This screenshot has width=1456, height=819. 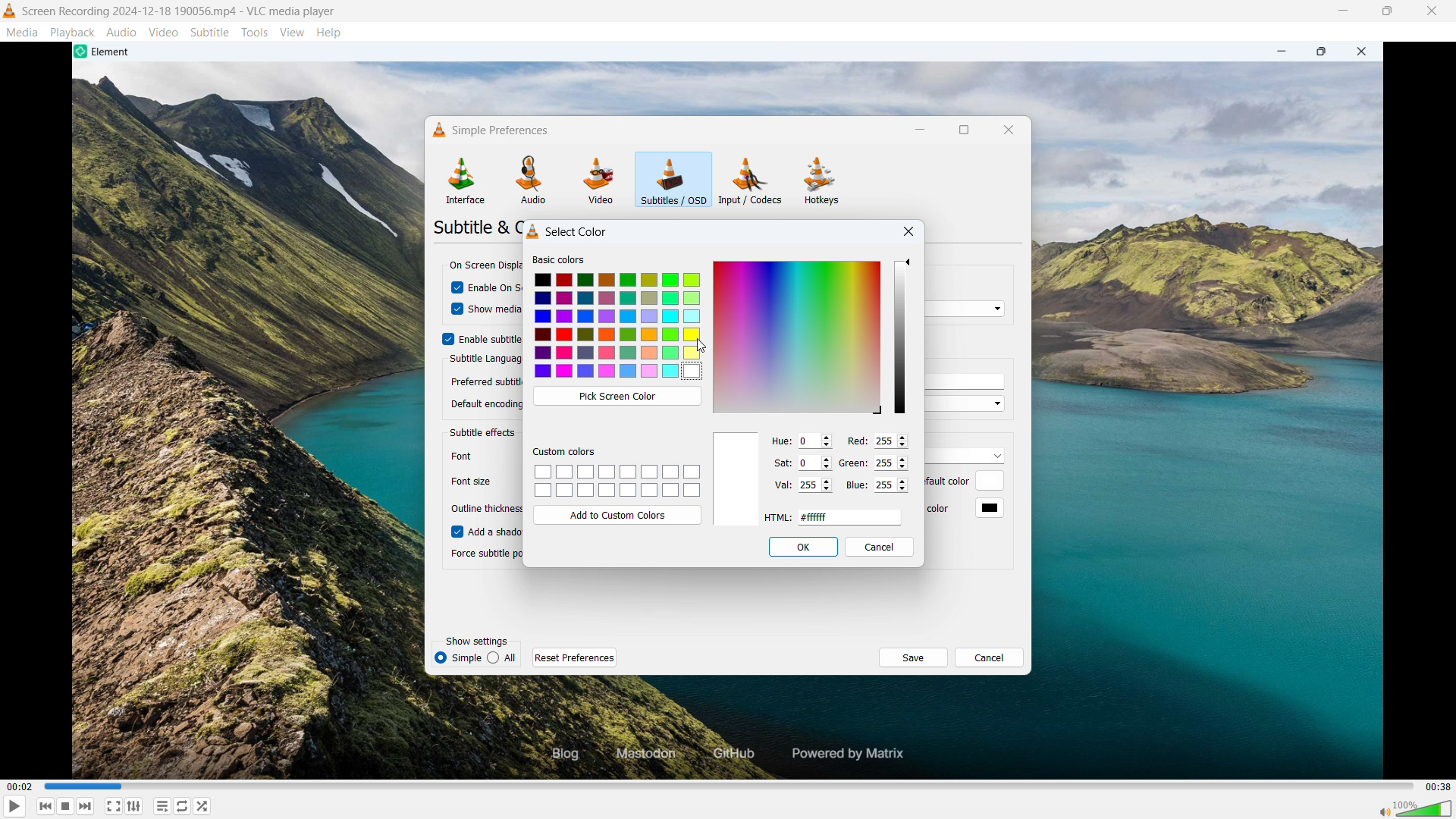 What do you see at coordinates (483, 267) in the screenshot?
I see `On screen display ` at bounding box center [483, 267].